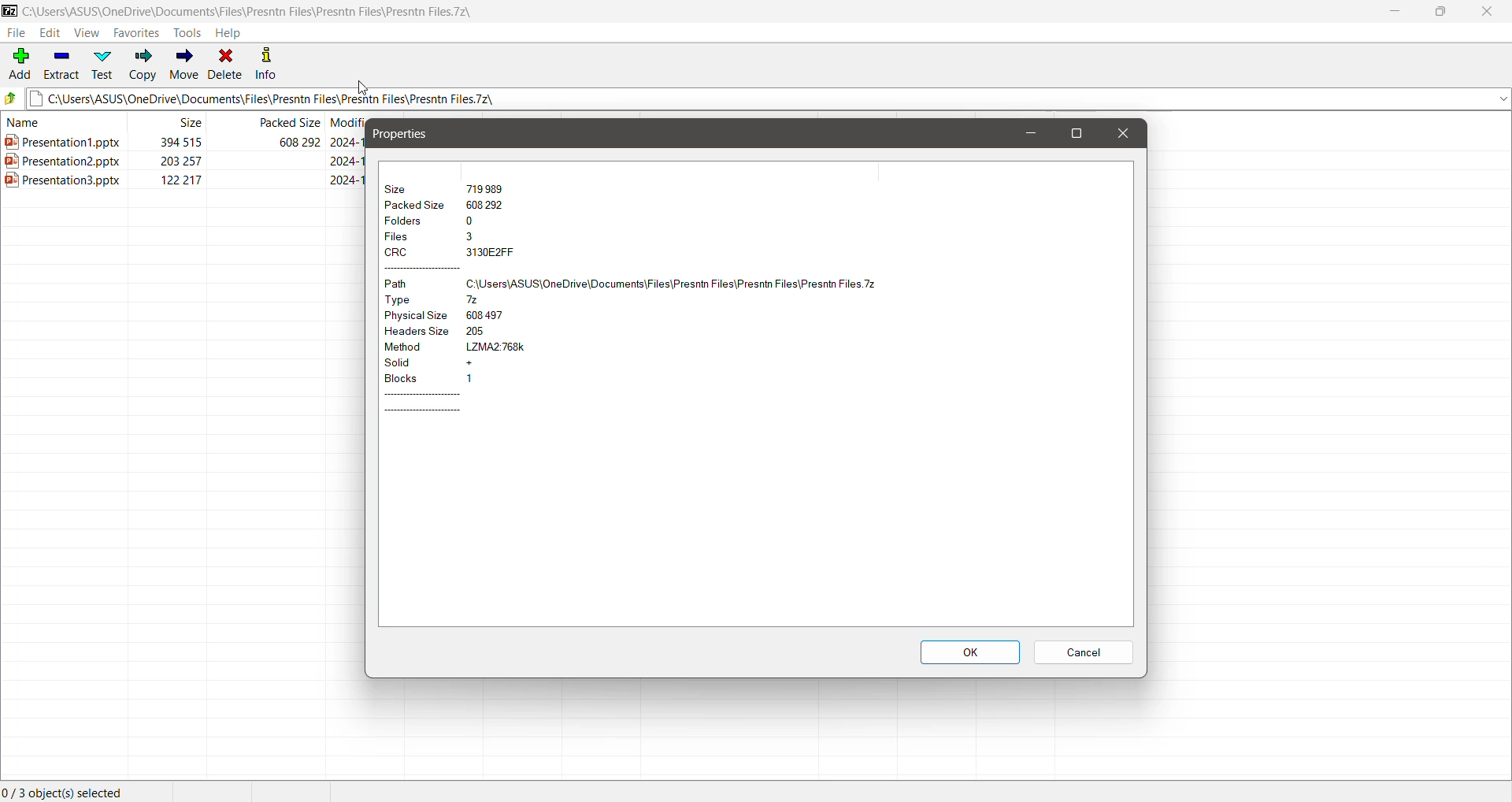  Describe the element at coordinates (265, 61) in the screenshot. I see `info` at that location.